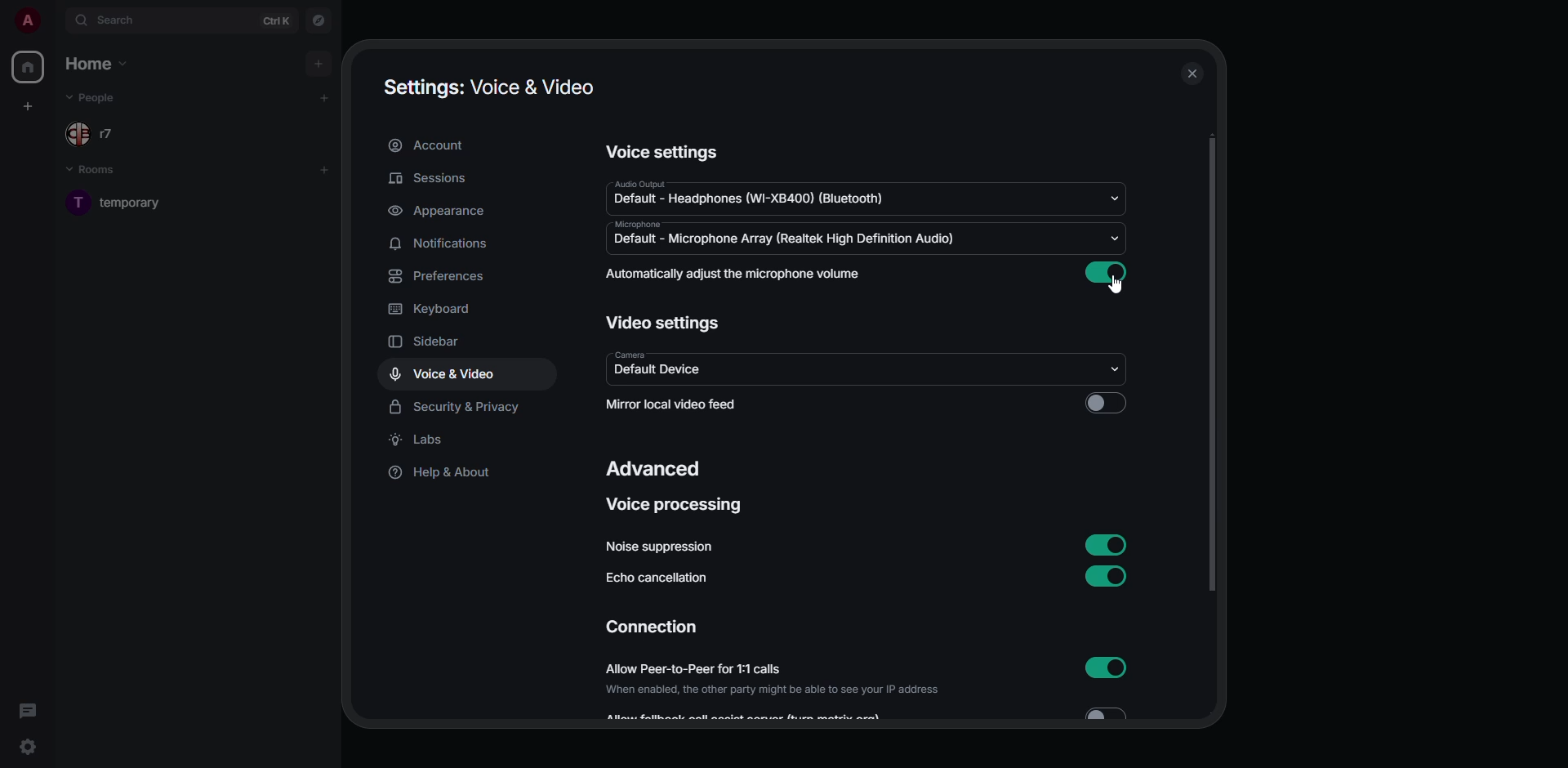 This screenshot has height=768, width=1568. I want to click on enabled, so click(1102, 543).